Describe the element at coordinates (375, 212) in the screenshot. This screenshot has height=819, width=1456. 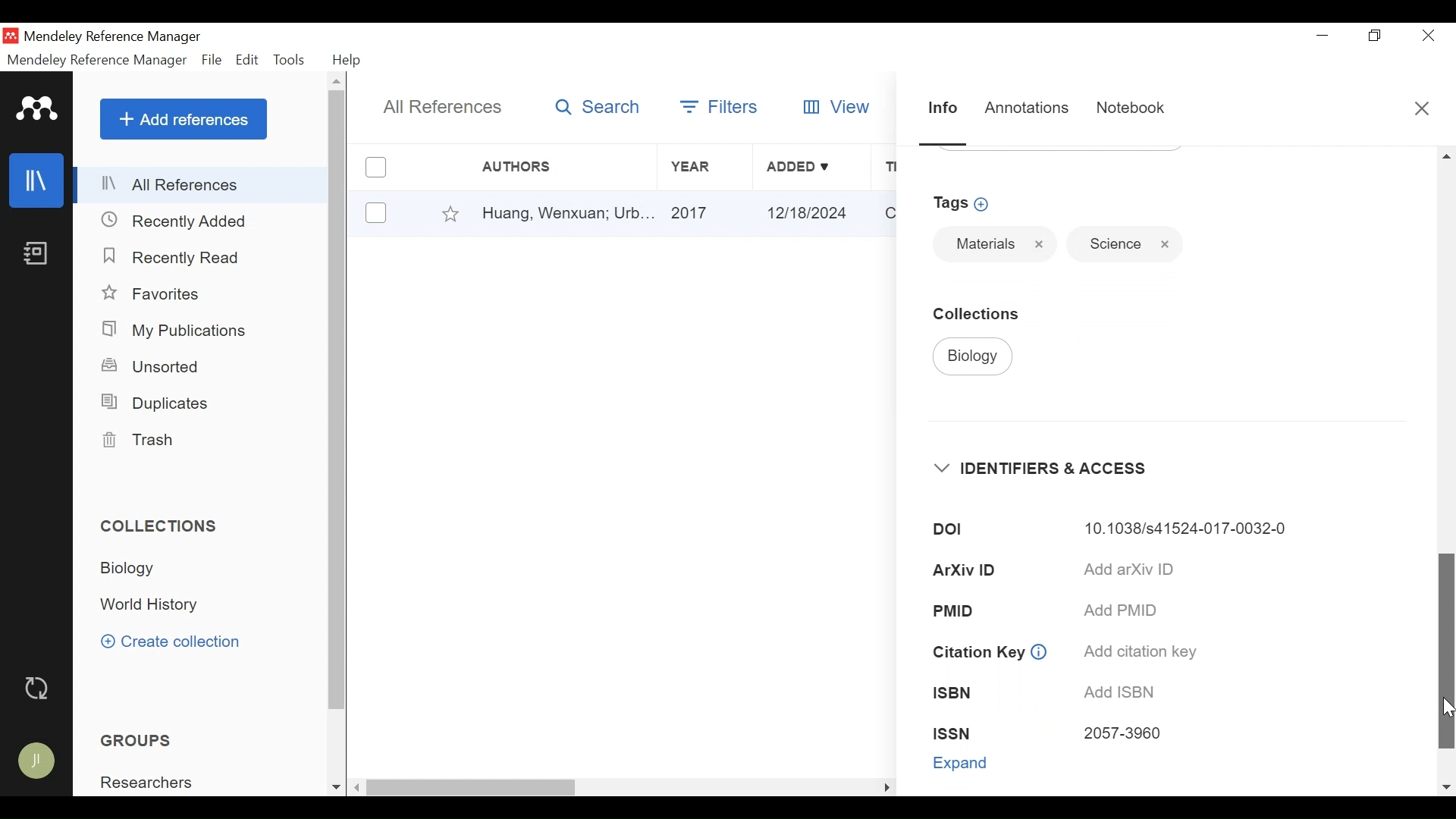
I see `(un)select` at that location.